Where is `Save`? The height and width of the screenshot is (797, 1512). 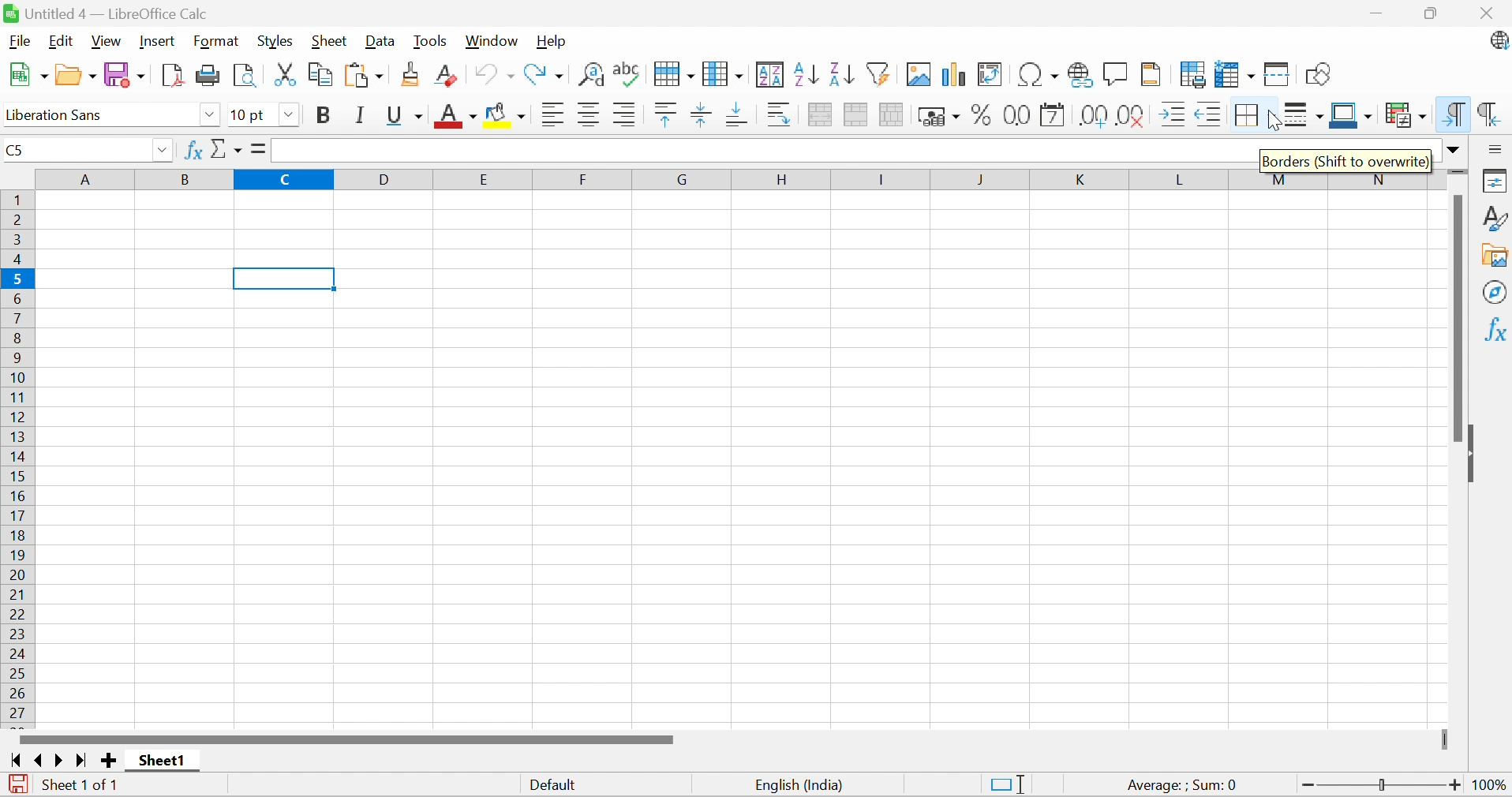
Save is located at coordinates (128, 76).